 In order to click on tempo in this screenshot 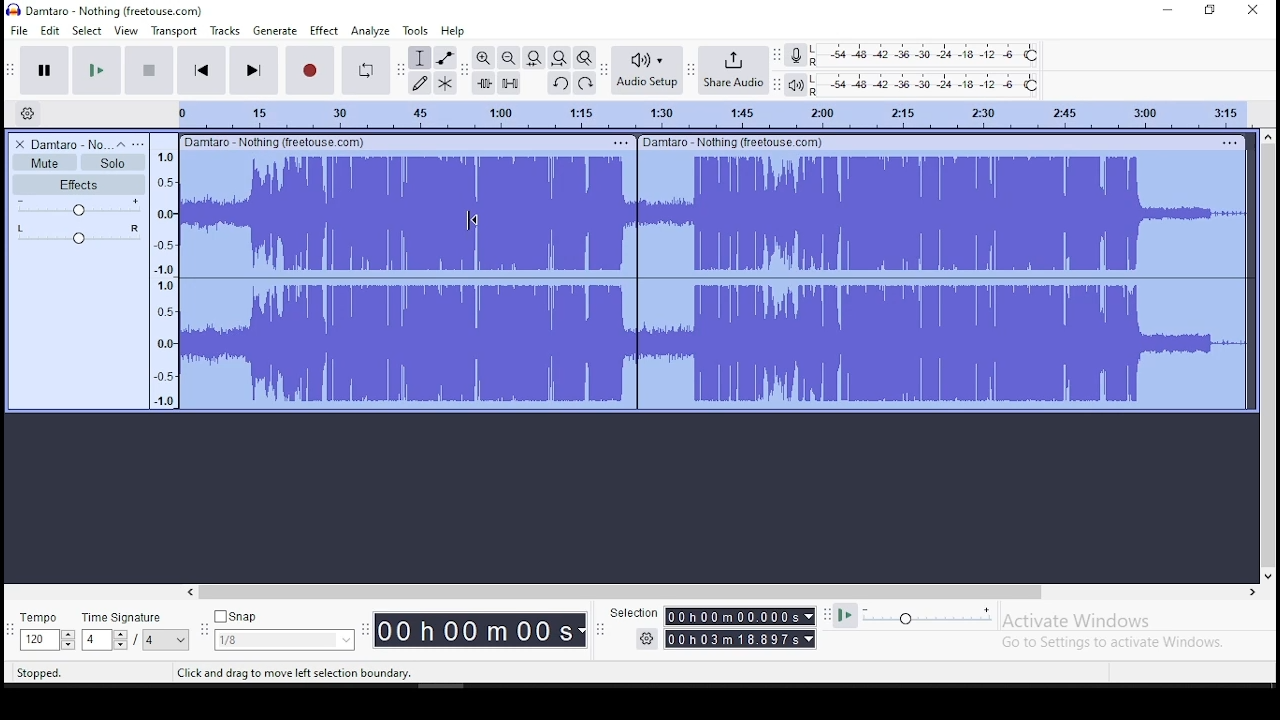, I will do `click(39, 617)`.